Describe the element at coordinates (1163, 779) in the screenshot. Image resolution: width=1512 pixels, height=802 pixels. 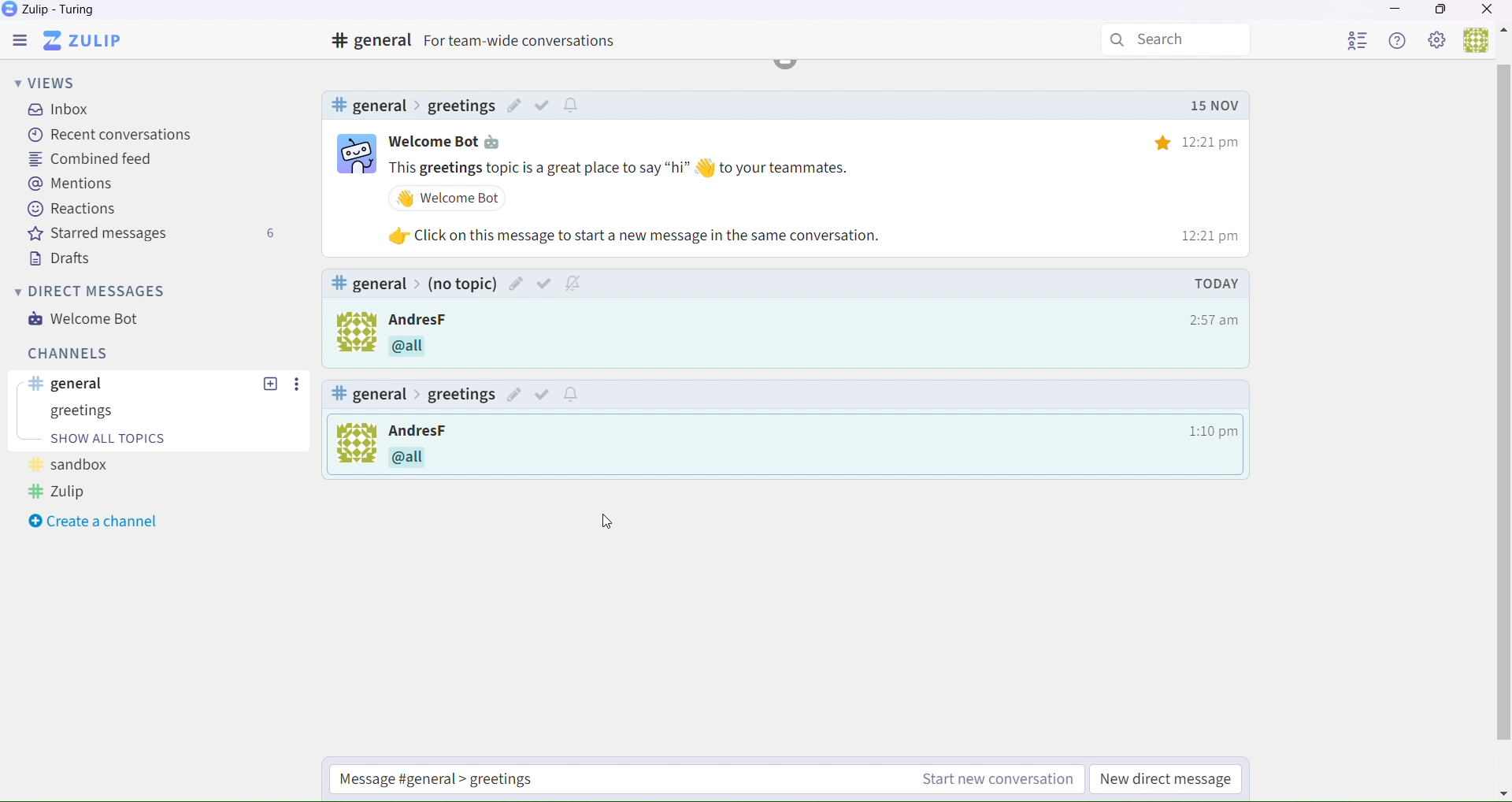
I see `New direct message` at that location.